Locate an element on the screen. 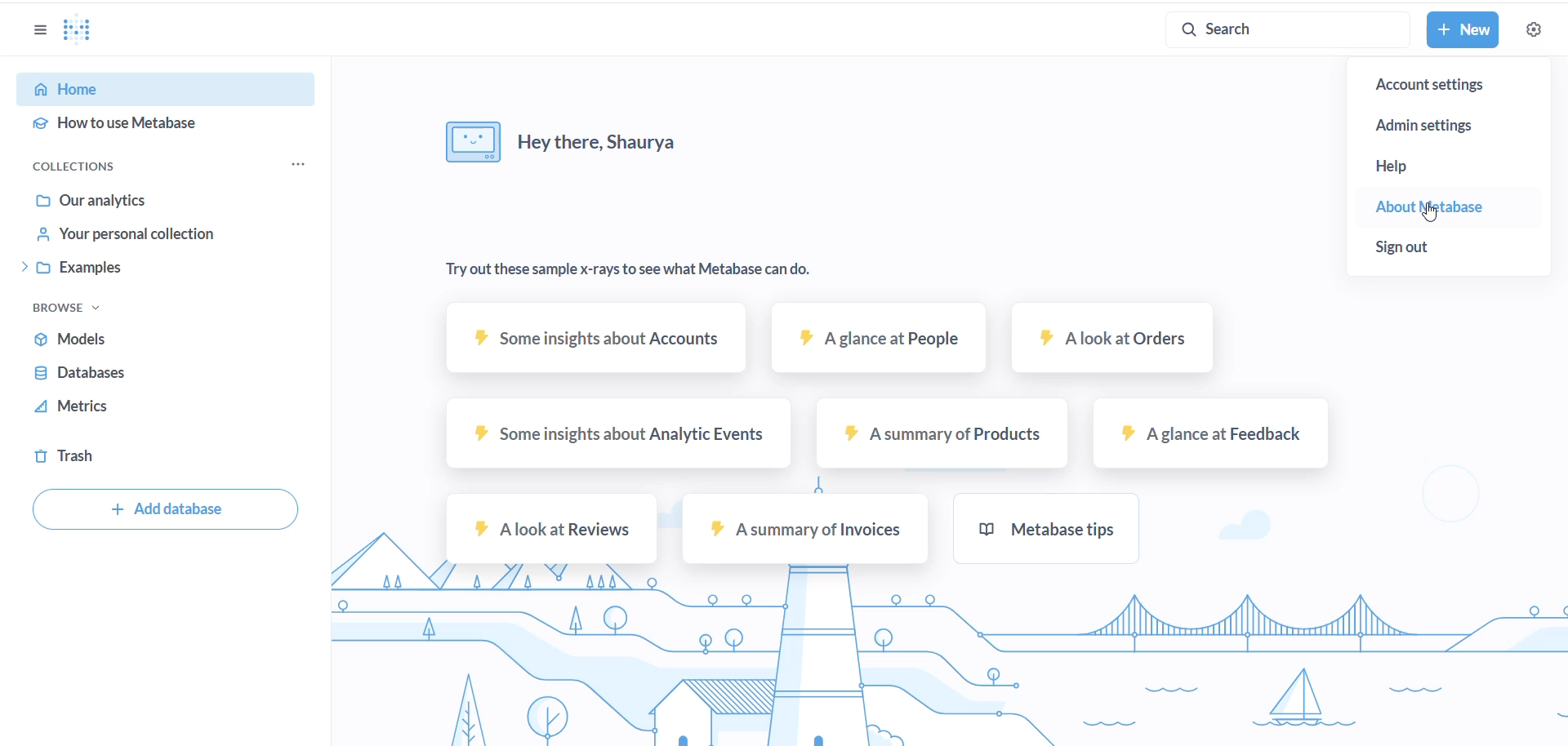  A look at Orders sample is located at coordinates (1111, 340).